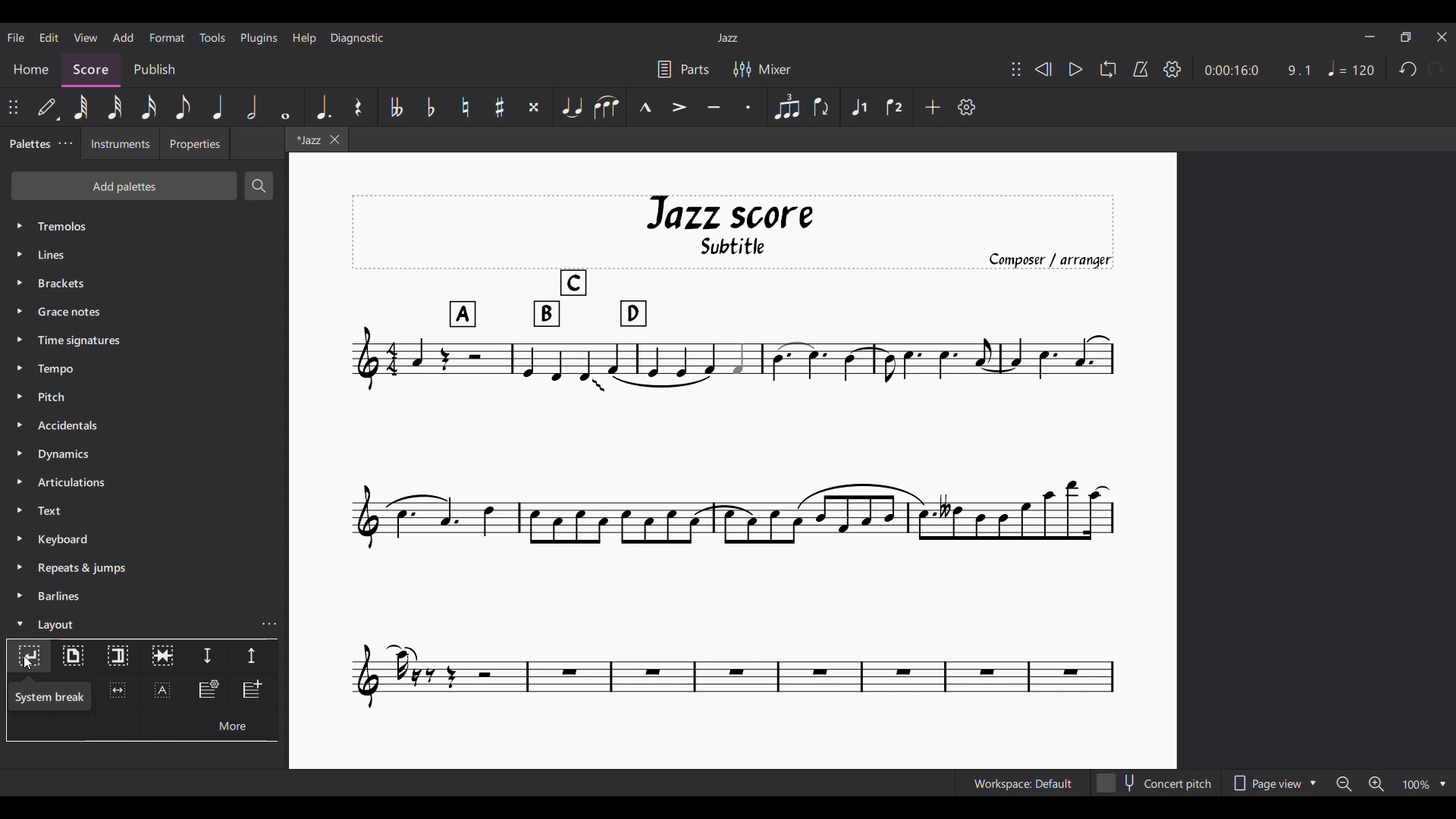 The width and height of the screenshot is (1456, 819). I want to click on Marcato, so click(645, 107).